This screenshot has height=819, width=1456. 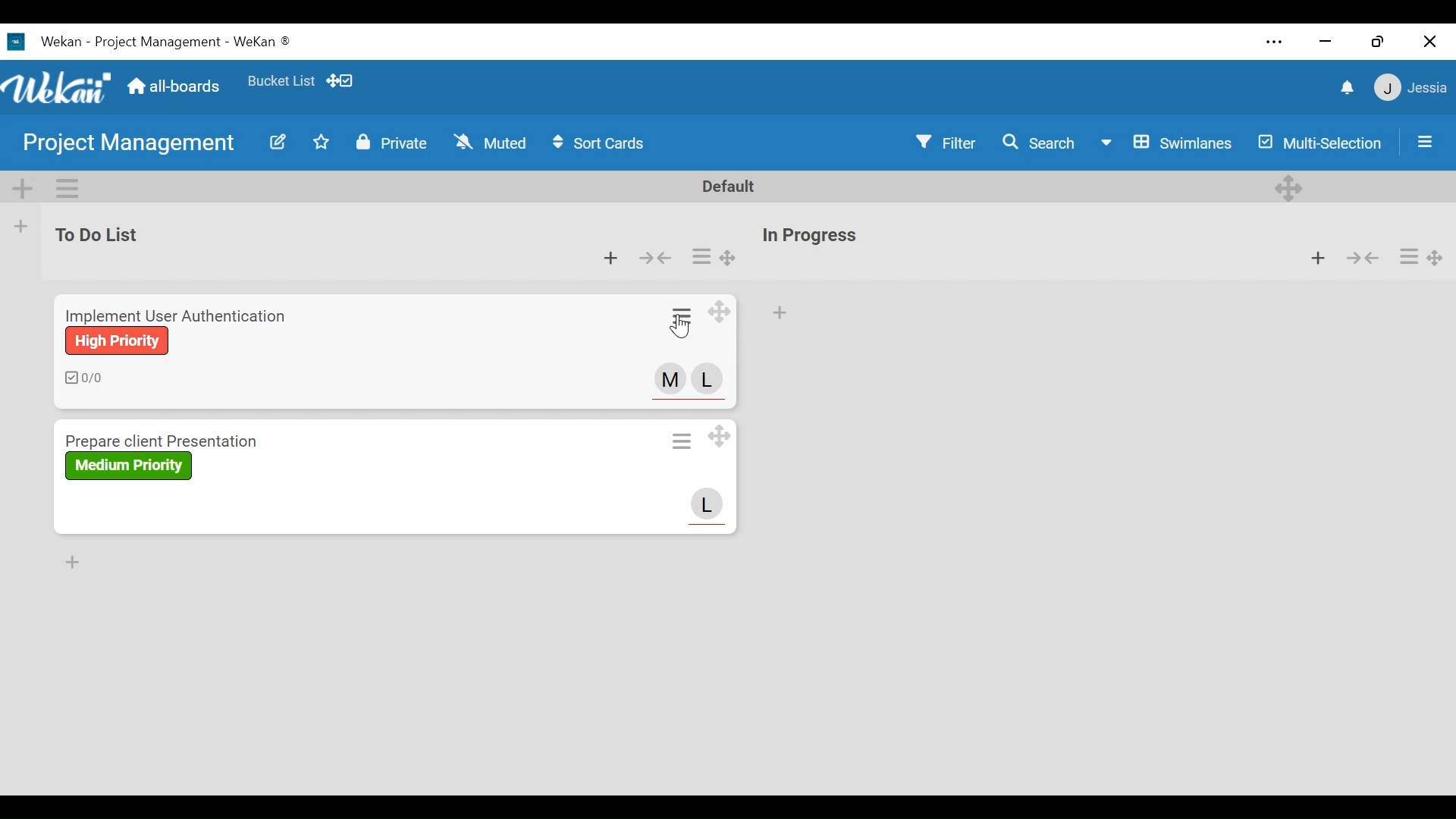 What do you see at coordinates (490, 142) in the screenshot?
I see `Muted` at bounding box center [490, 142].